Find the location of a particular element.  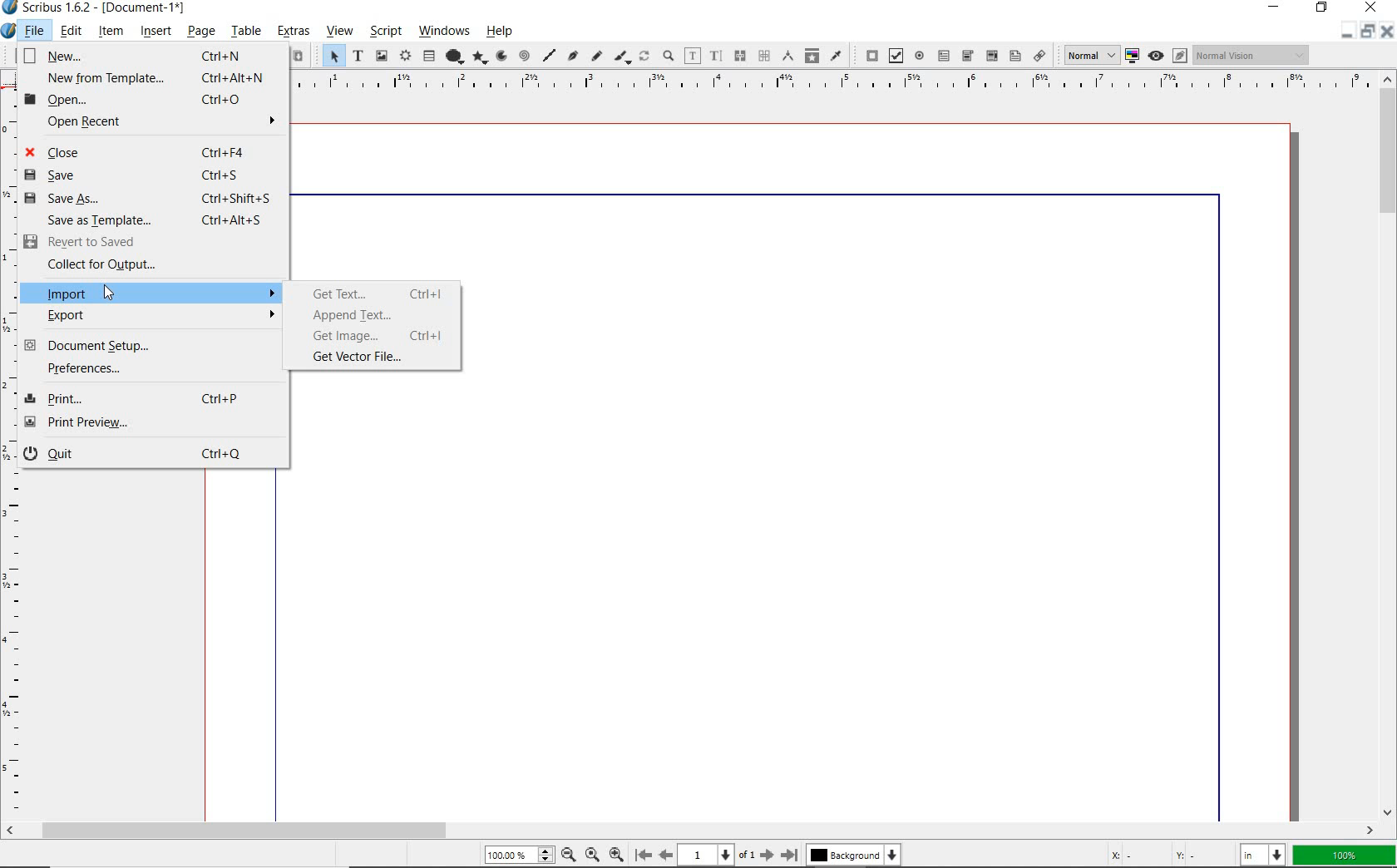

Next Page is located at coordinates (768, 856).